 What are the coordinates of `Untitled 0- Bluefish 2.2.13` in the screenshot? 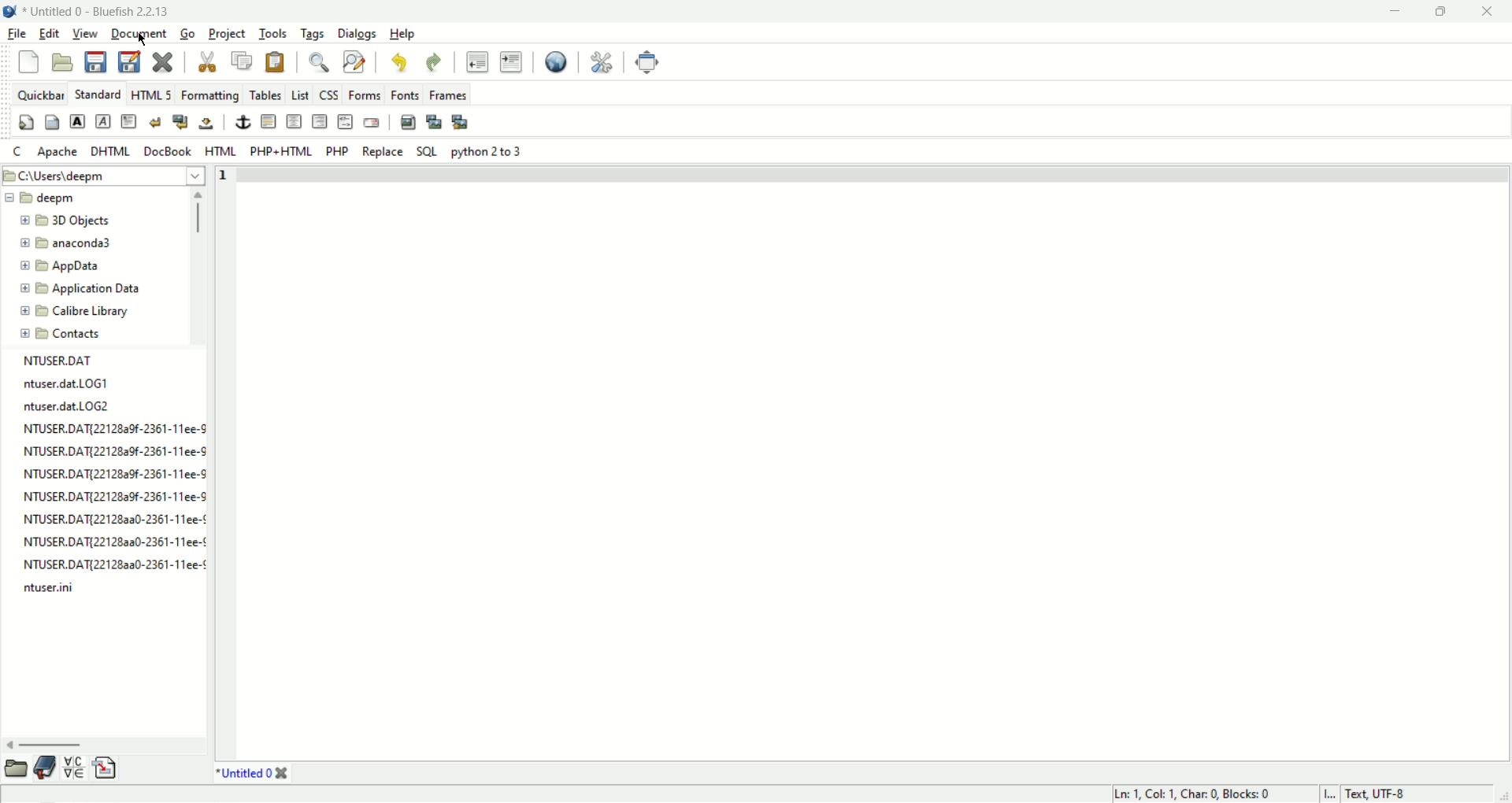 It's located at (119, 9).